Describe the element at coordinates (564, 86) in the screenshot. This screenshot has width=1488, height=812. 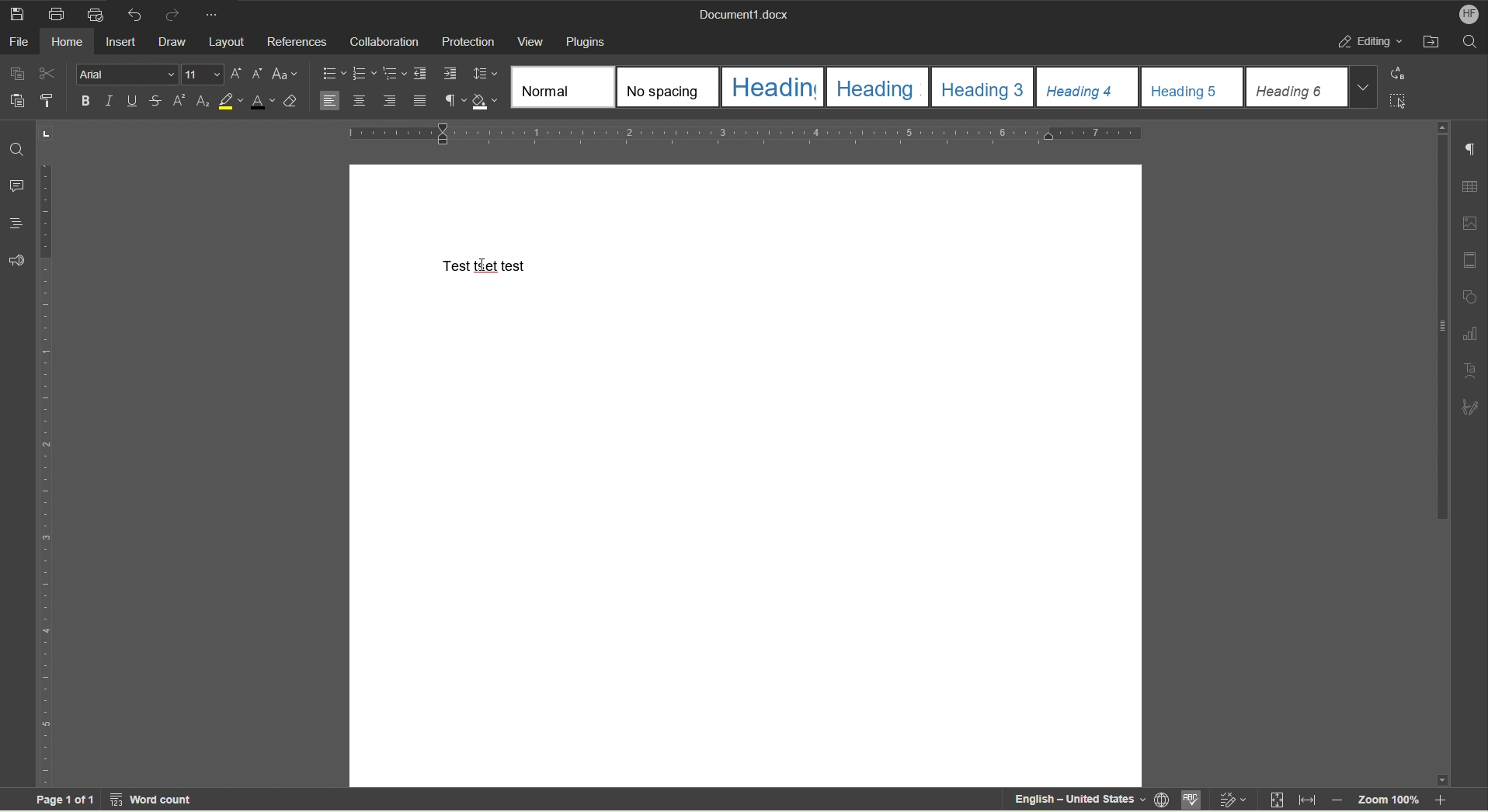
I see `Normal` at that location.